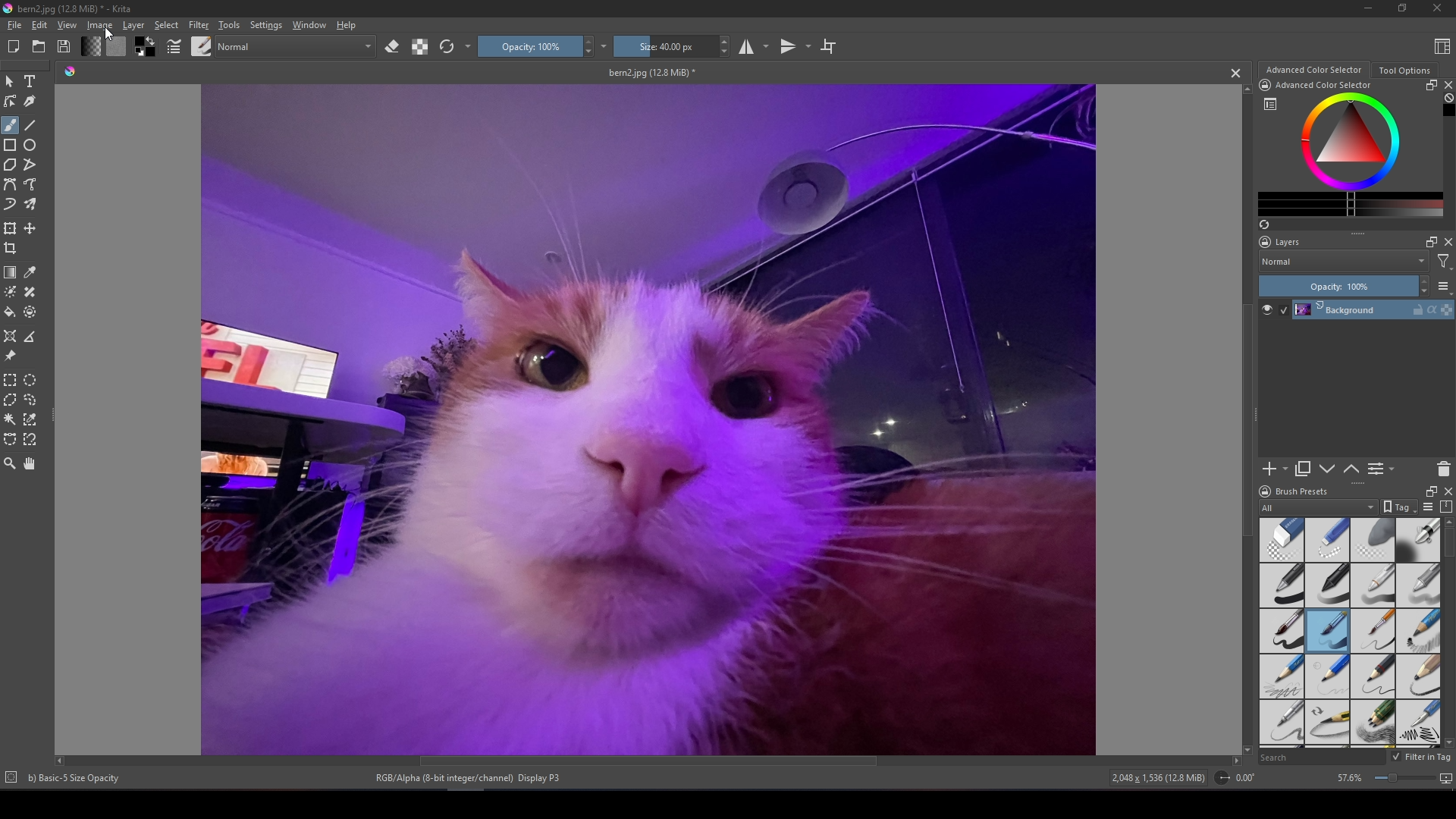 The width and height of the screenshot is (1456, 819). I want to click on Icon, so click(71, 71).